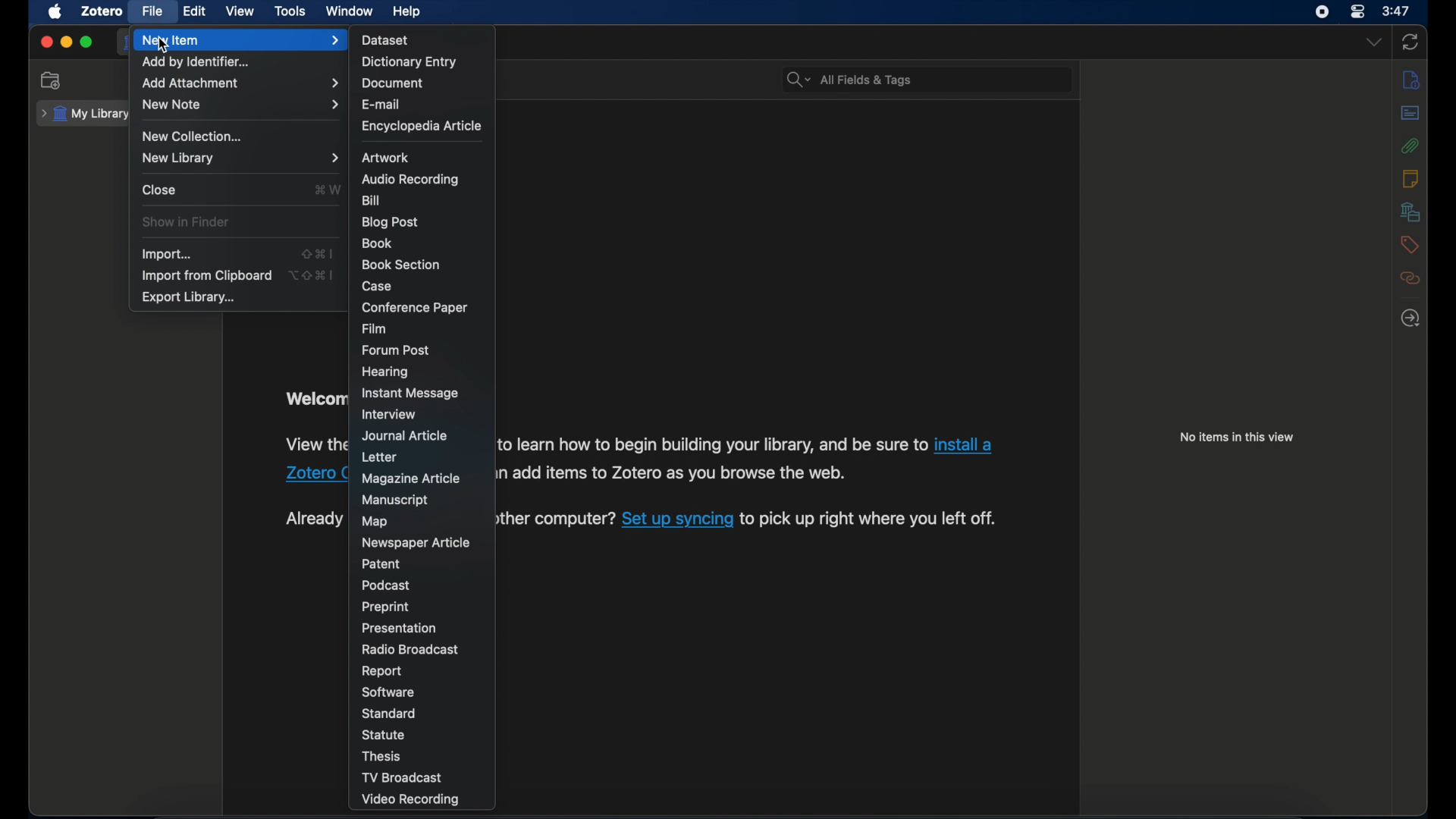  What do you see at coordinates (240, 40) in the screenshot?
I see `new item` at bounding box center [240, 40].